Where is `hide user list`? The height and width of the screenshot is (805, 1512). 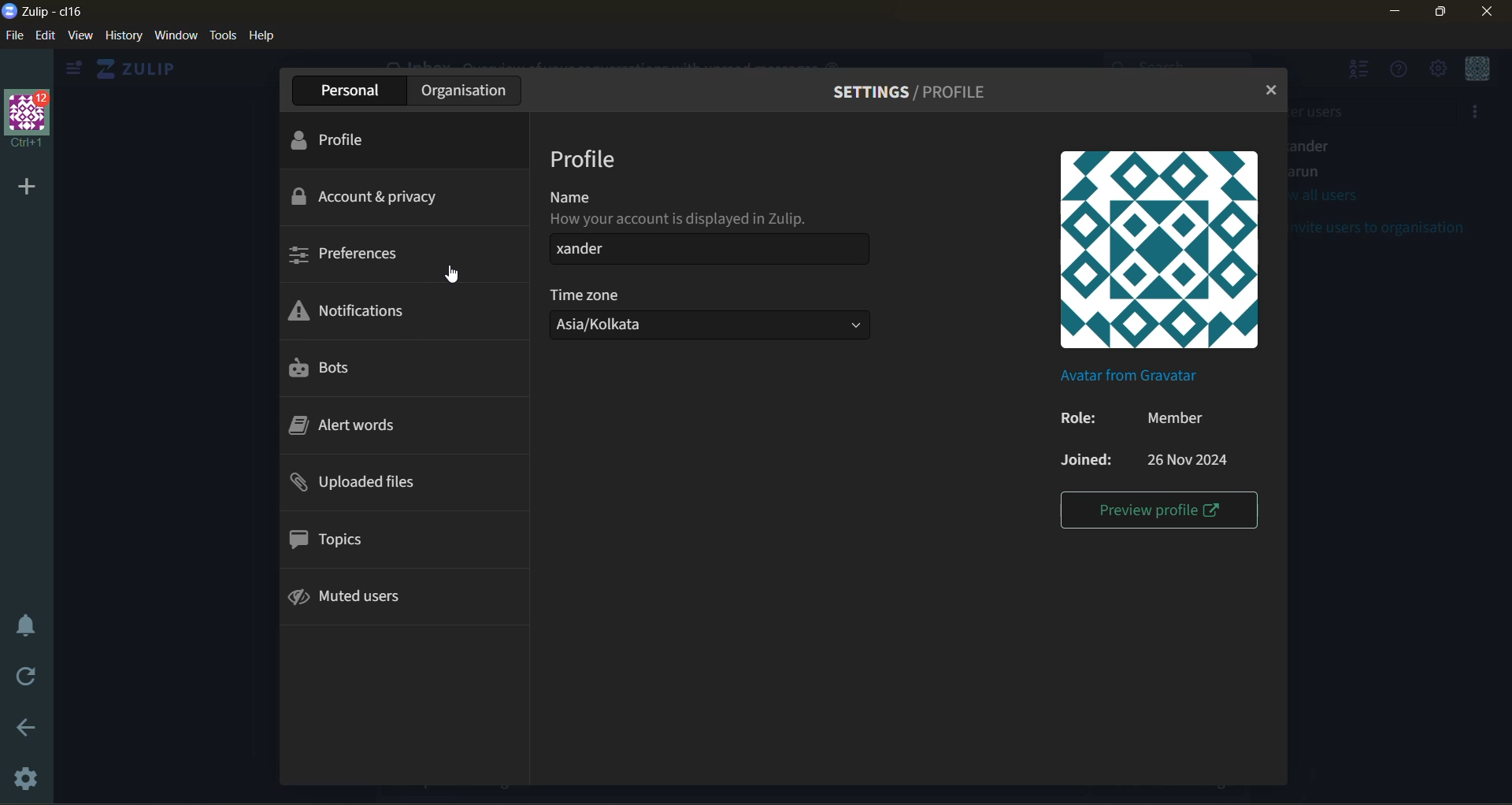 hide user list is located at coordinates (1361, 72).